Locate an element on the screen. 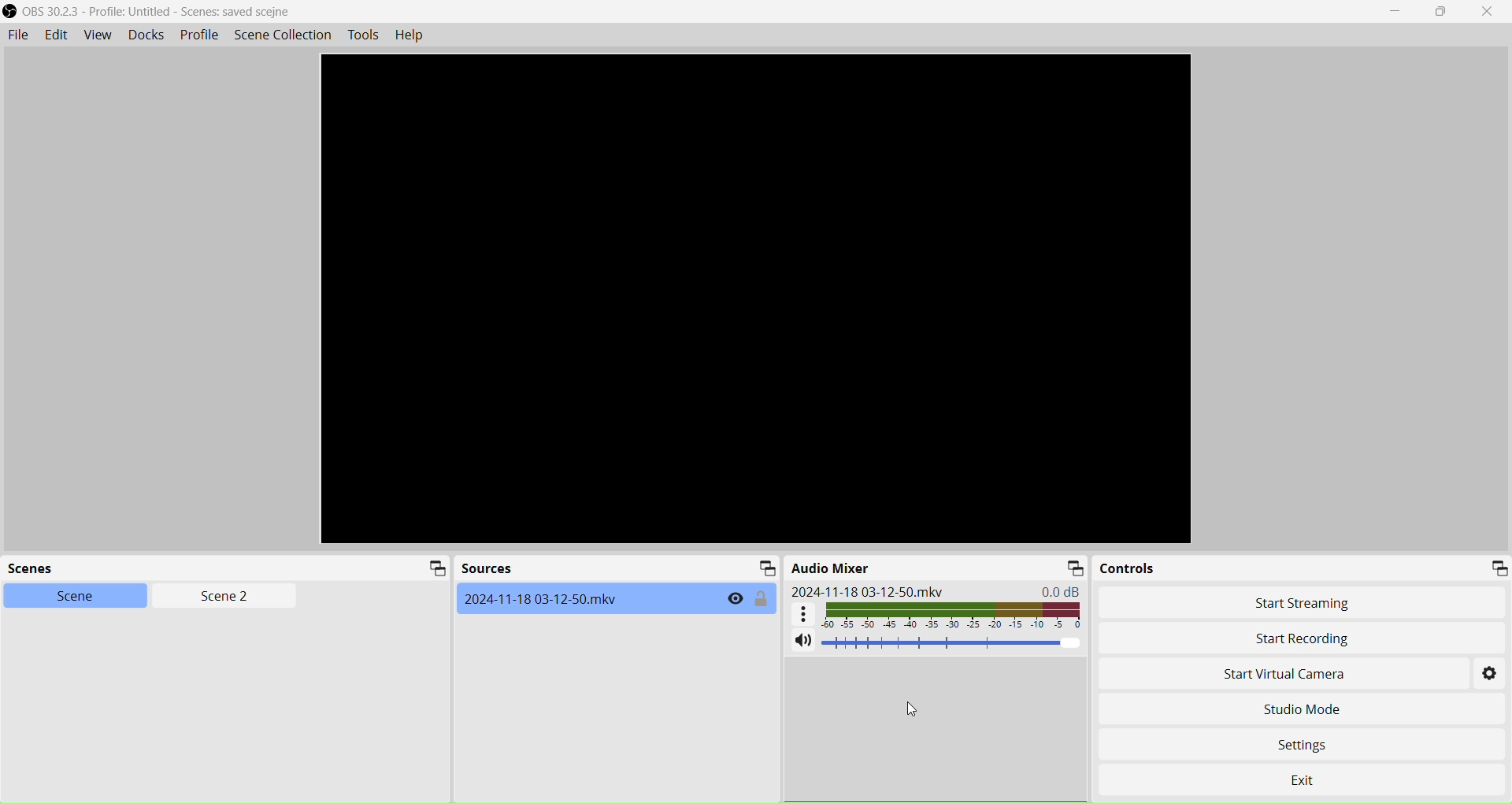 The image size is (1512, 803). Expand is located at coordinates (764, 568).